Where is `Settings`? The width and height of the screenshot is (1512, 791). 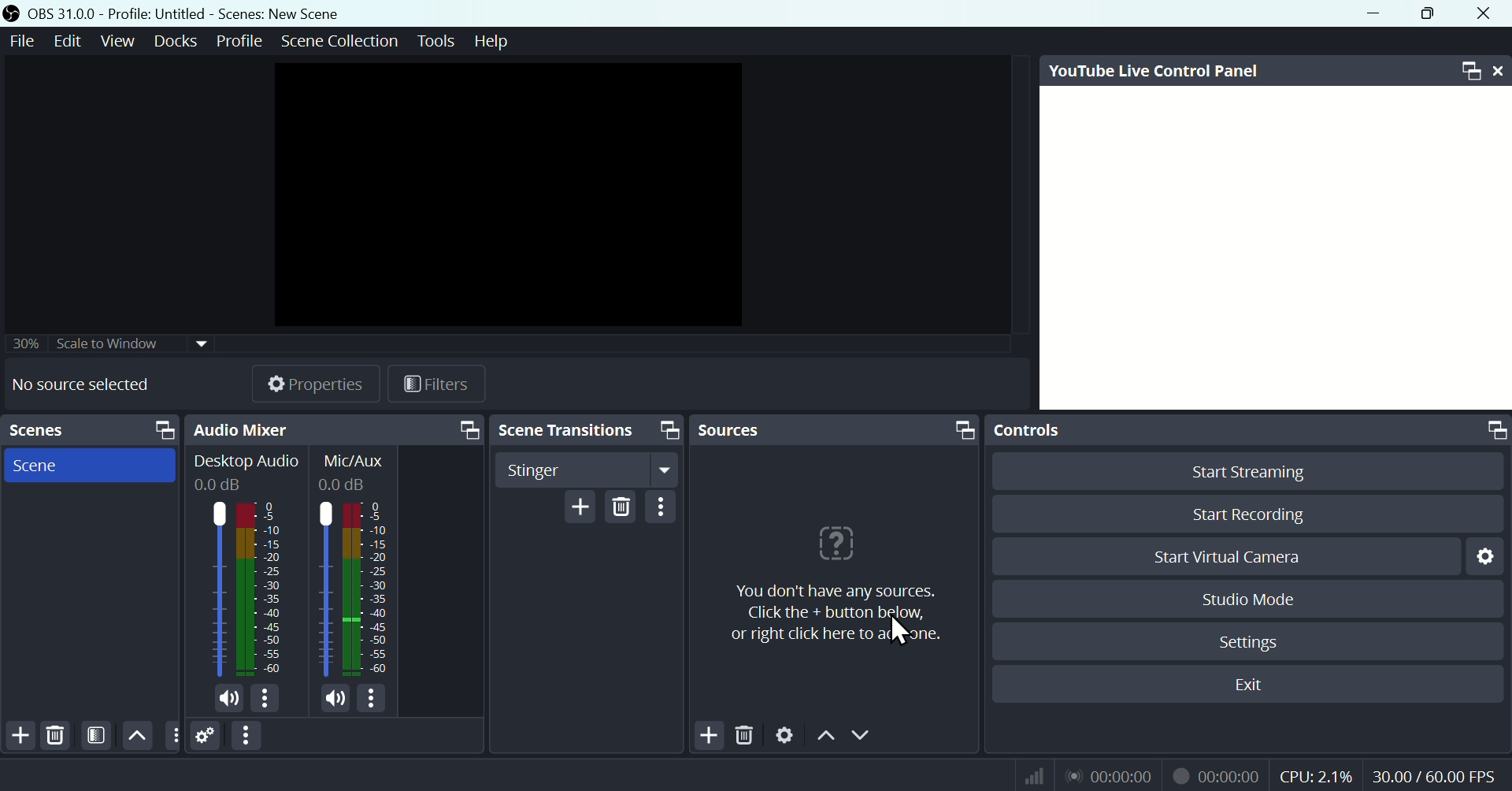
Settings is located at coordinates (785, 733).